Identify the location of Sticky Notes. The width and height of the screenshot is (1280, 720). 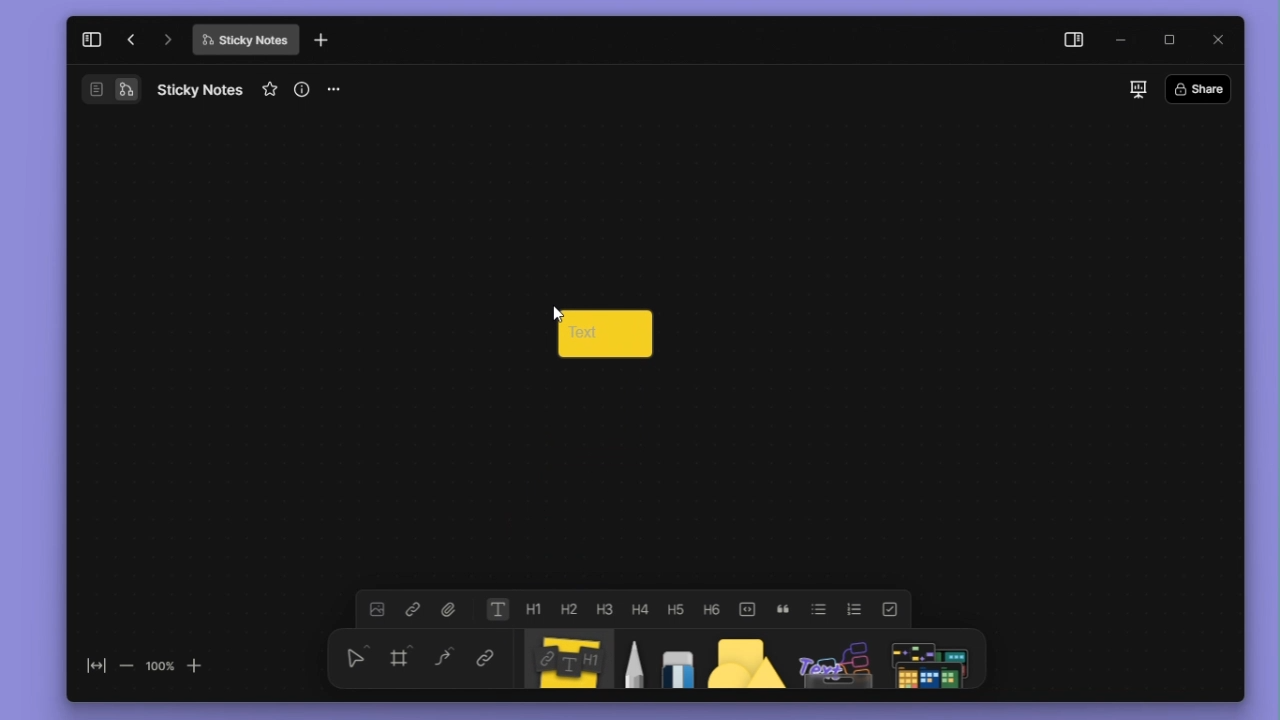
(243, 43).